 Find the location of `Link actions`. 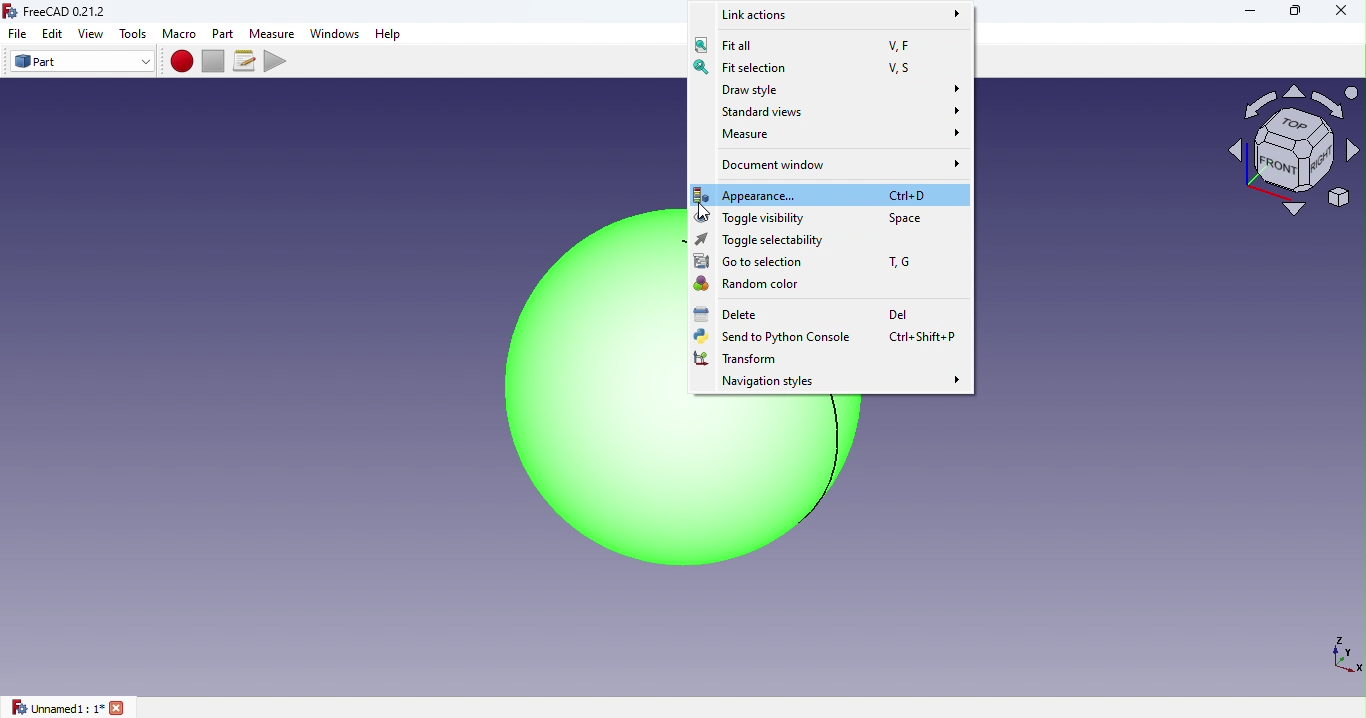

Link actions is located at coordinates (834, 14).